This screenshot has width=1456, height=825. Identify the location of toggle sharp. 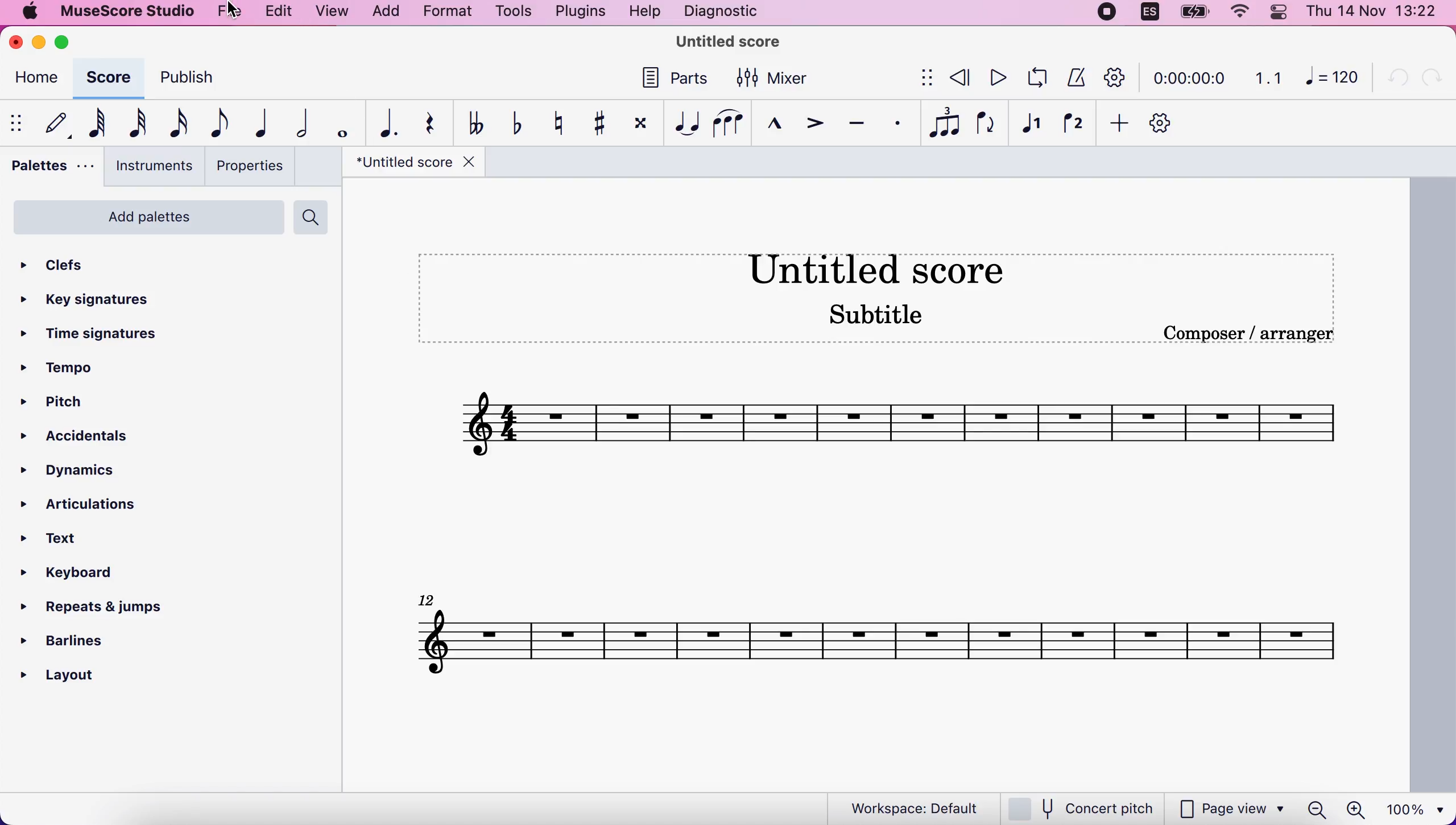
(596, 122).